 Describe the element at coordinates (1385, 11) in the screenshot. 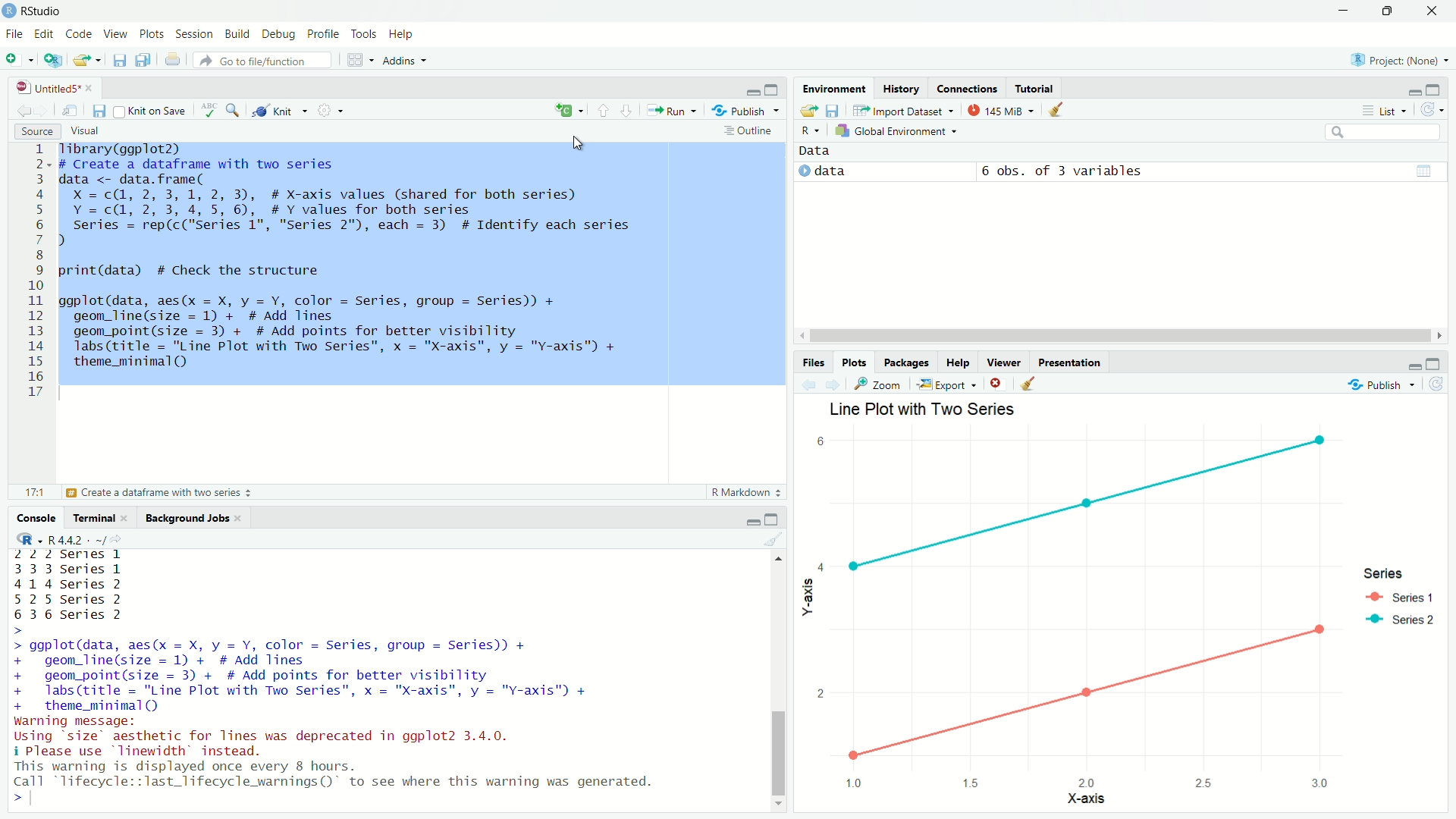

I see `Maximize` at that location.